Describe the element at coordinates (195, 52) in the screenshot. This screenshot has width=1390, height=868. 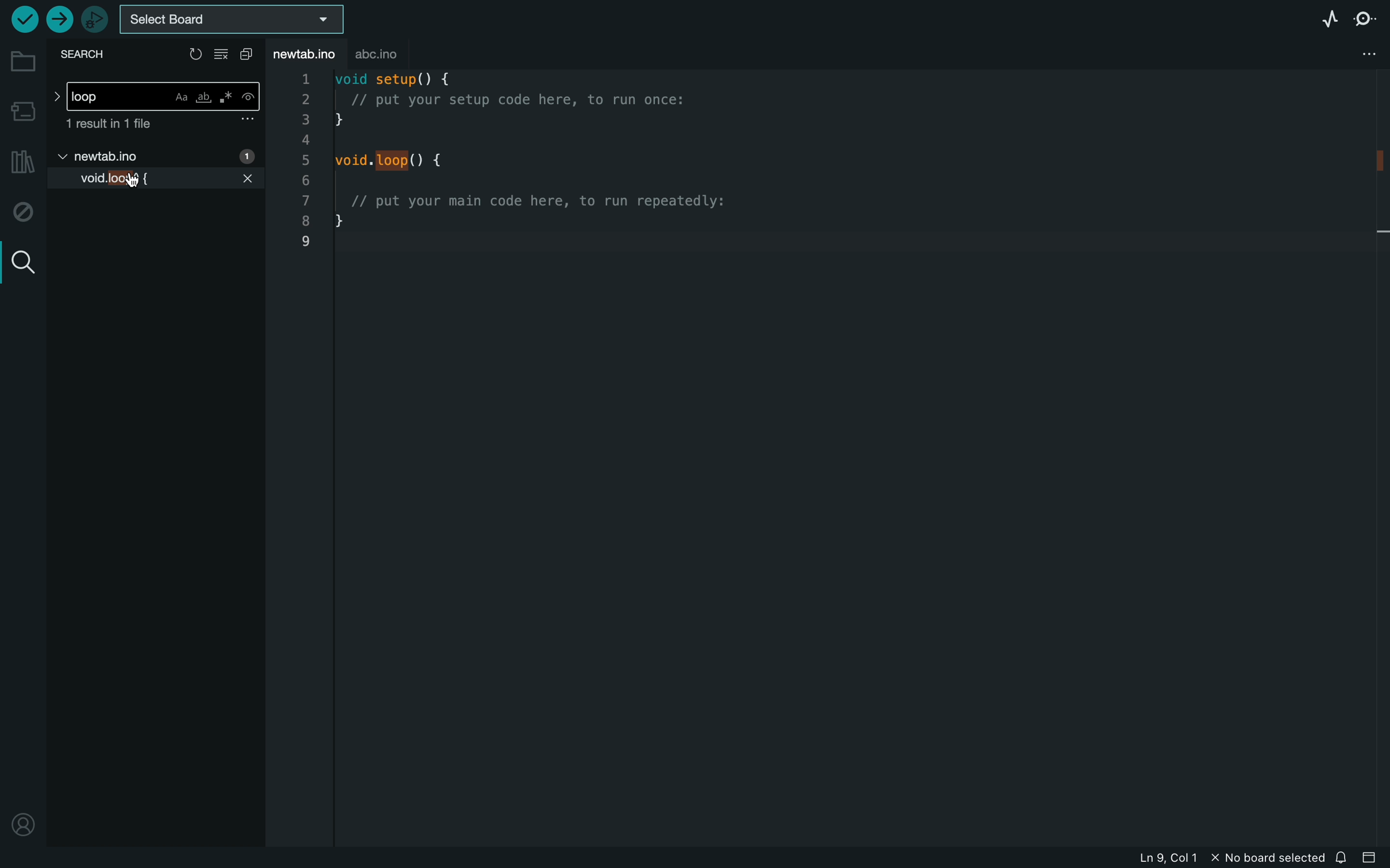
I see `refresh` at that location.